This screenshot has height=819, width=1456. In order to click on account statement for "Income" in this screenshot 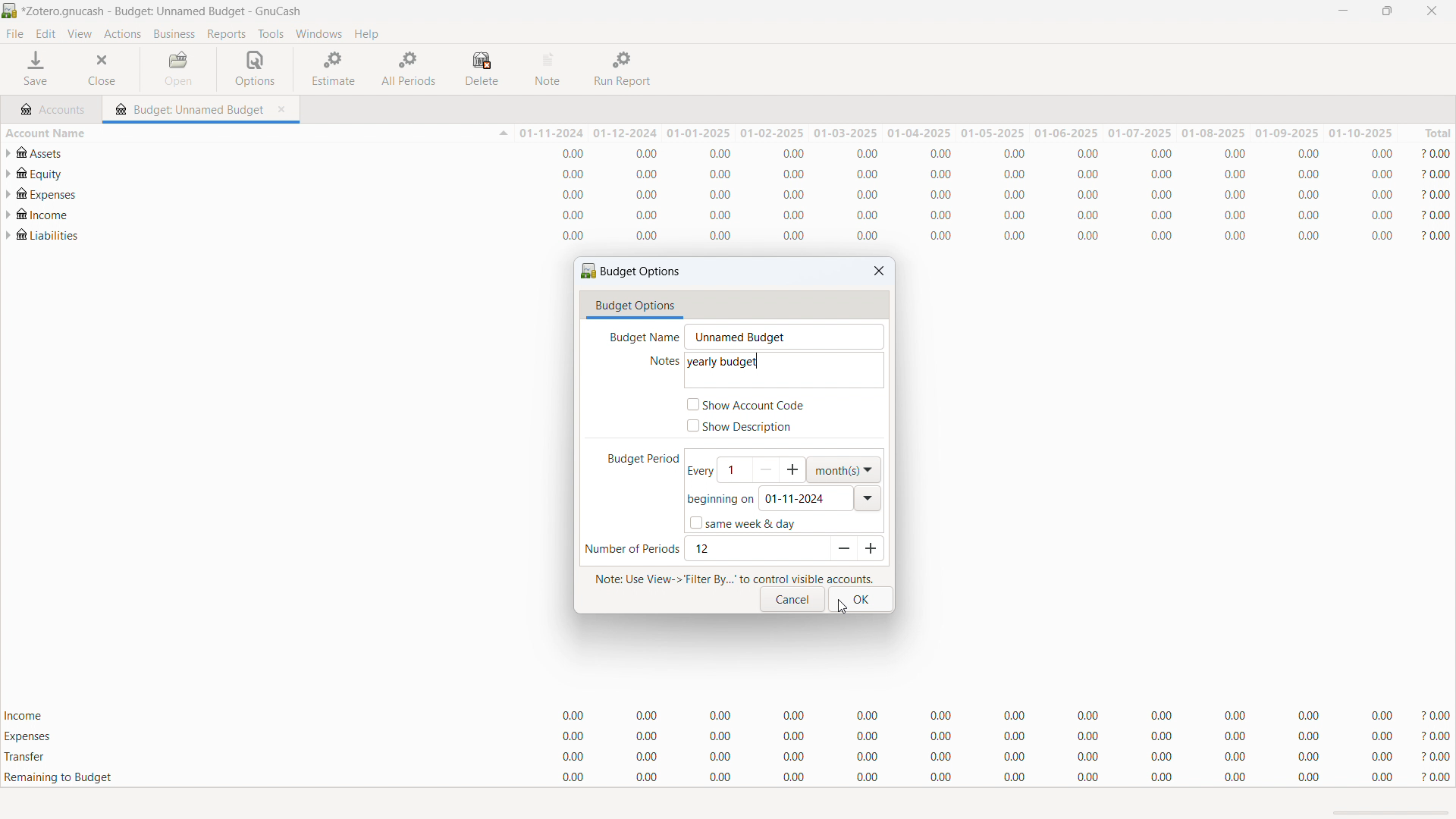, I will do `click(738, 214)`.